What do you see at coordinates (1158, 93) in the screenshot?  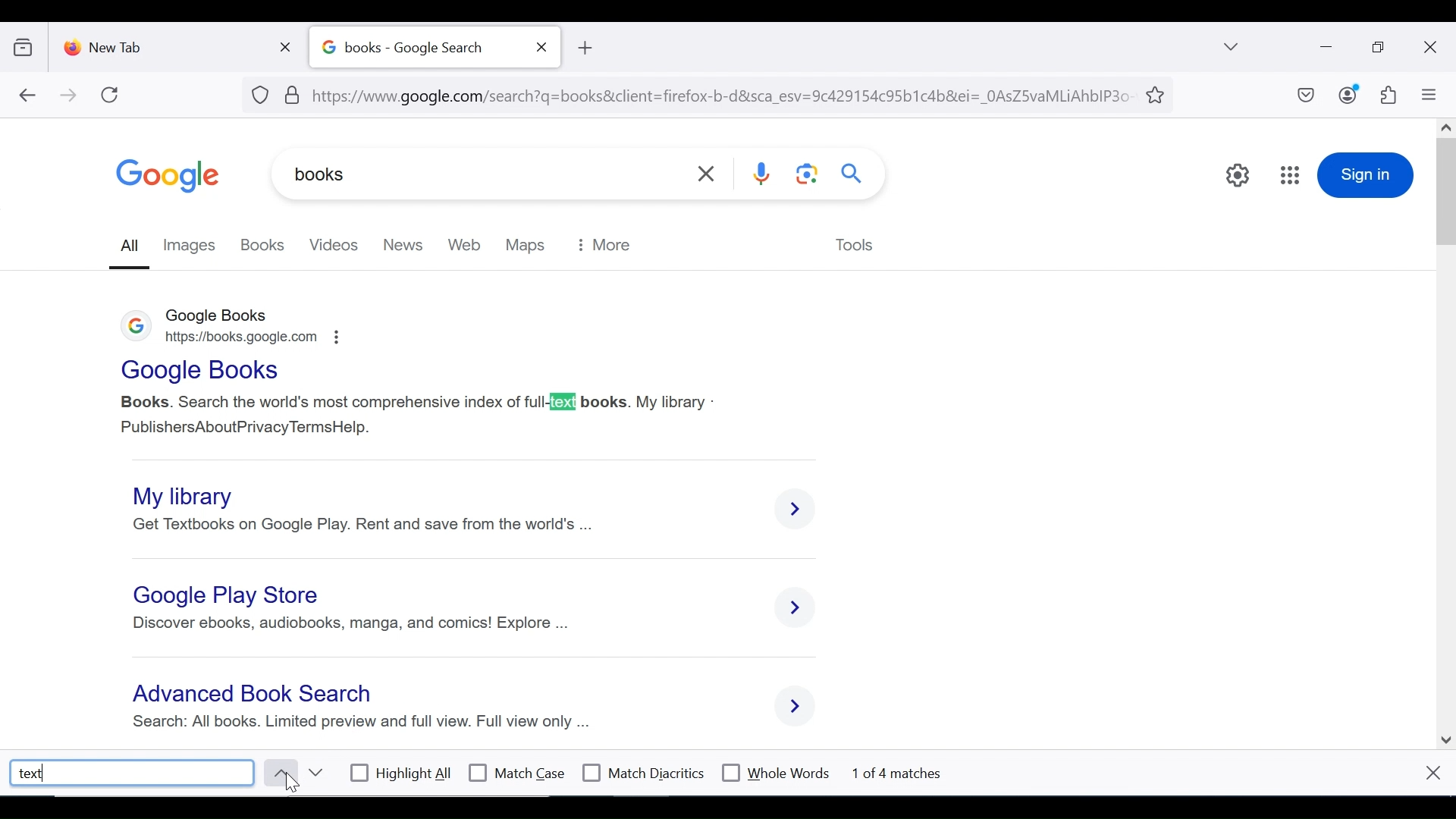 I see `bookmark this tab` at bounding box center [1158, 93].